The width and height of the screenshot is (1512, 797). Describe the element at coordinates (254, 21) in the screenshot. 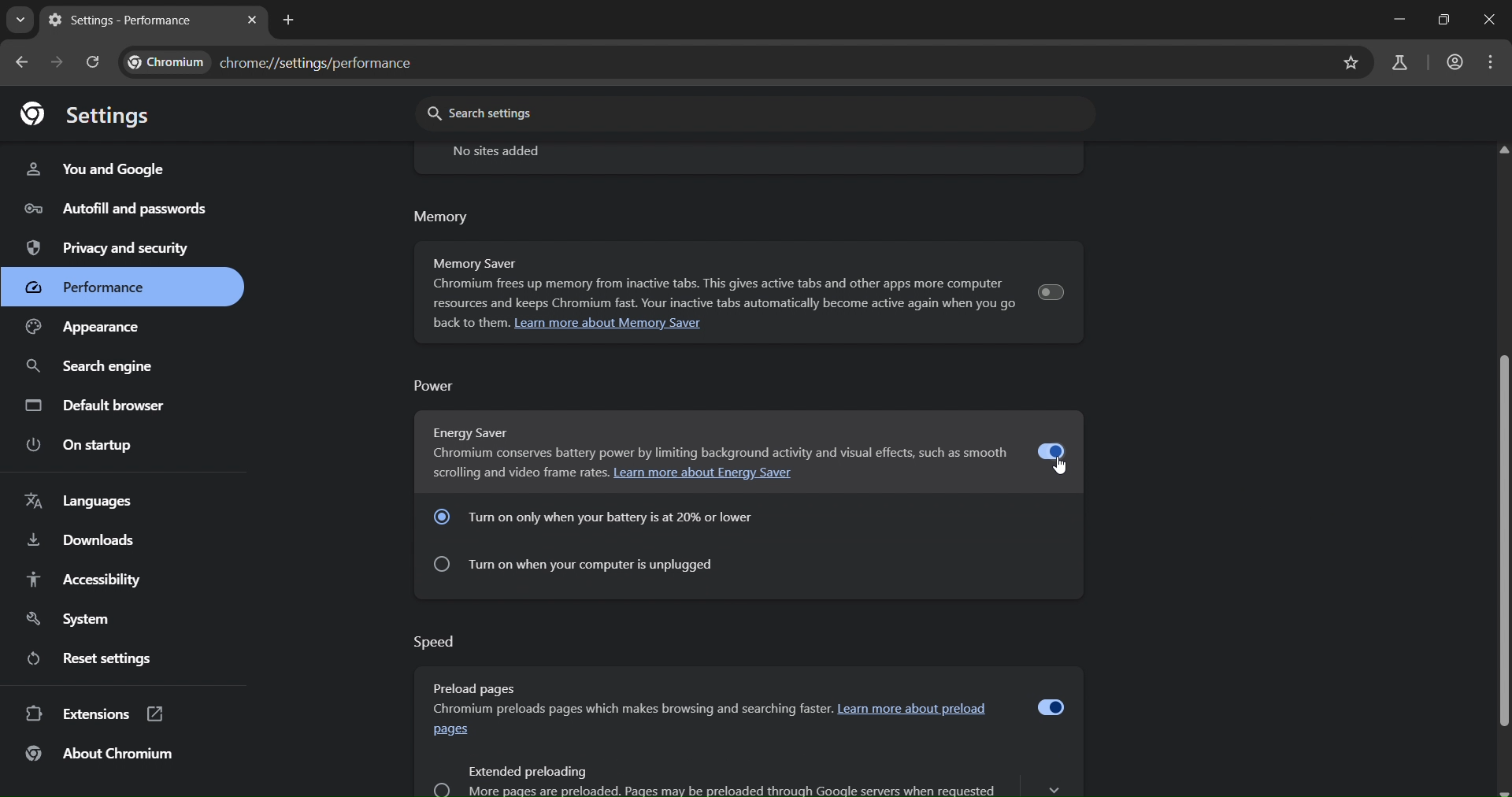

I see `close tab` at that location.